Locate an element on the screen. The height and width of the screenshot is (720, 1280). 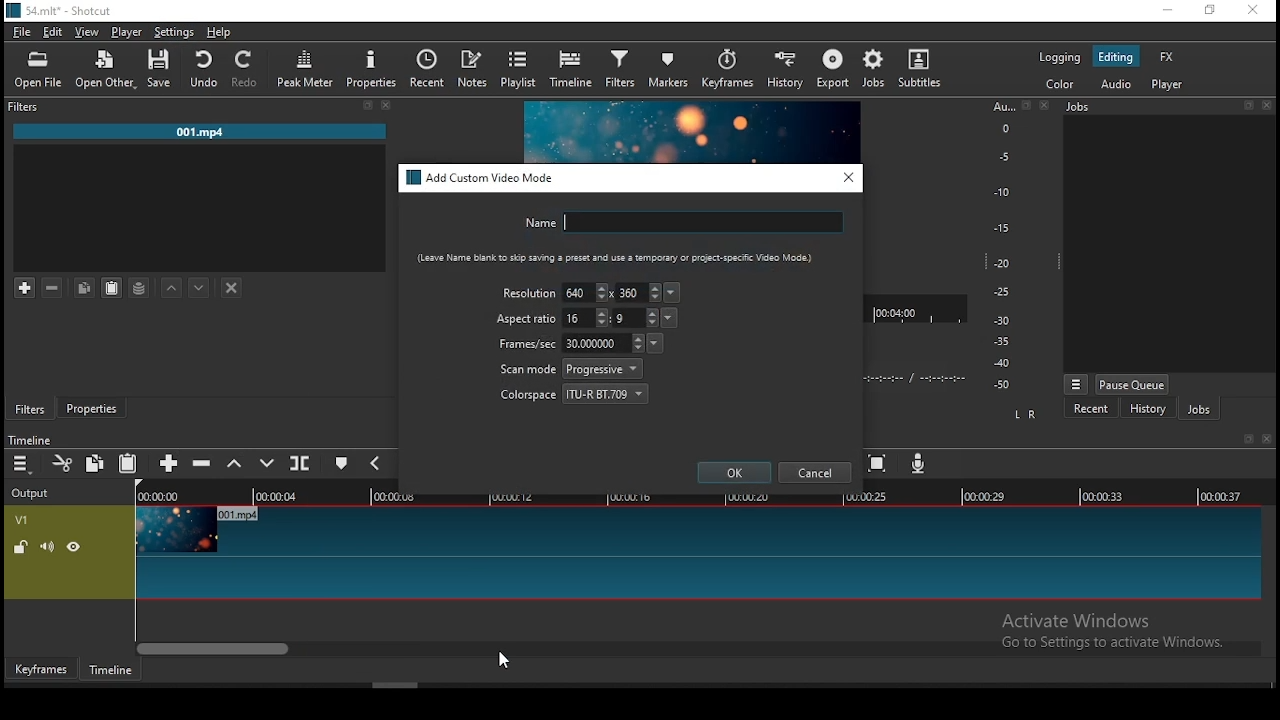
fx is located at coordinates (1169, 58).